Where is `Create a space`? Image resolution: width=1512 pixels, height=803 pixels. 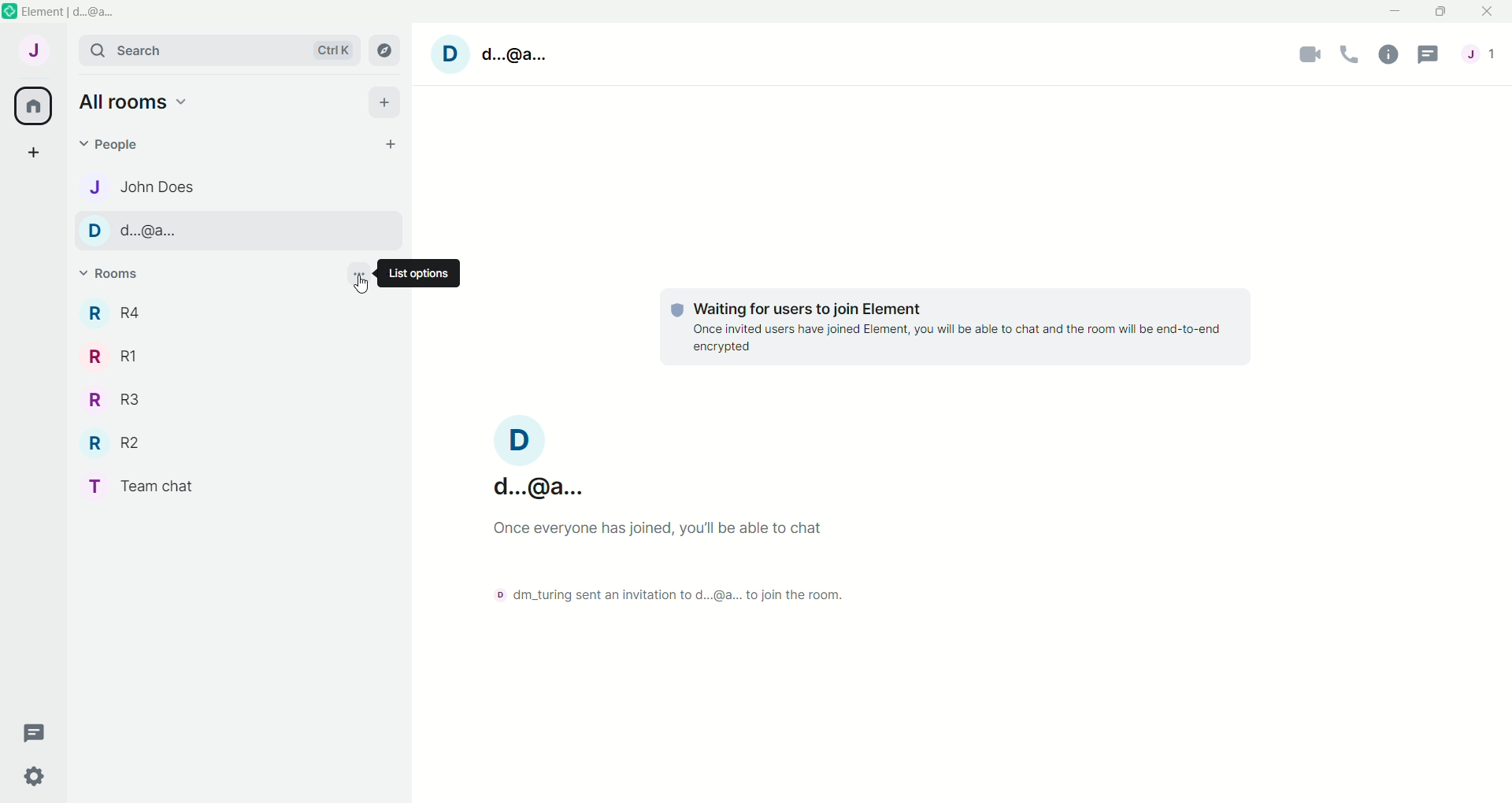 Create a space is located at coordinates (36, 151).